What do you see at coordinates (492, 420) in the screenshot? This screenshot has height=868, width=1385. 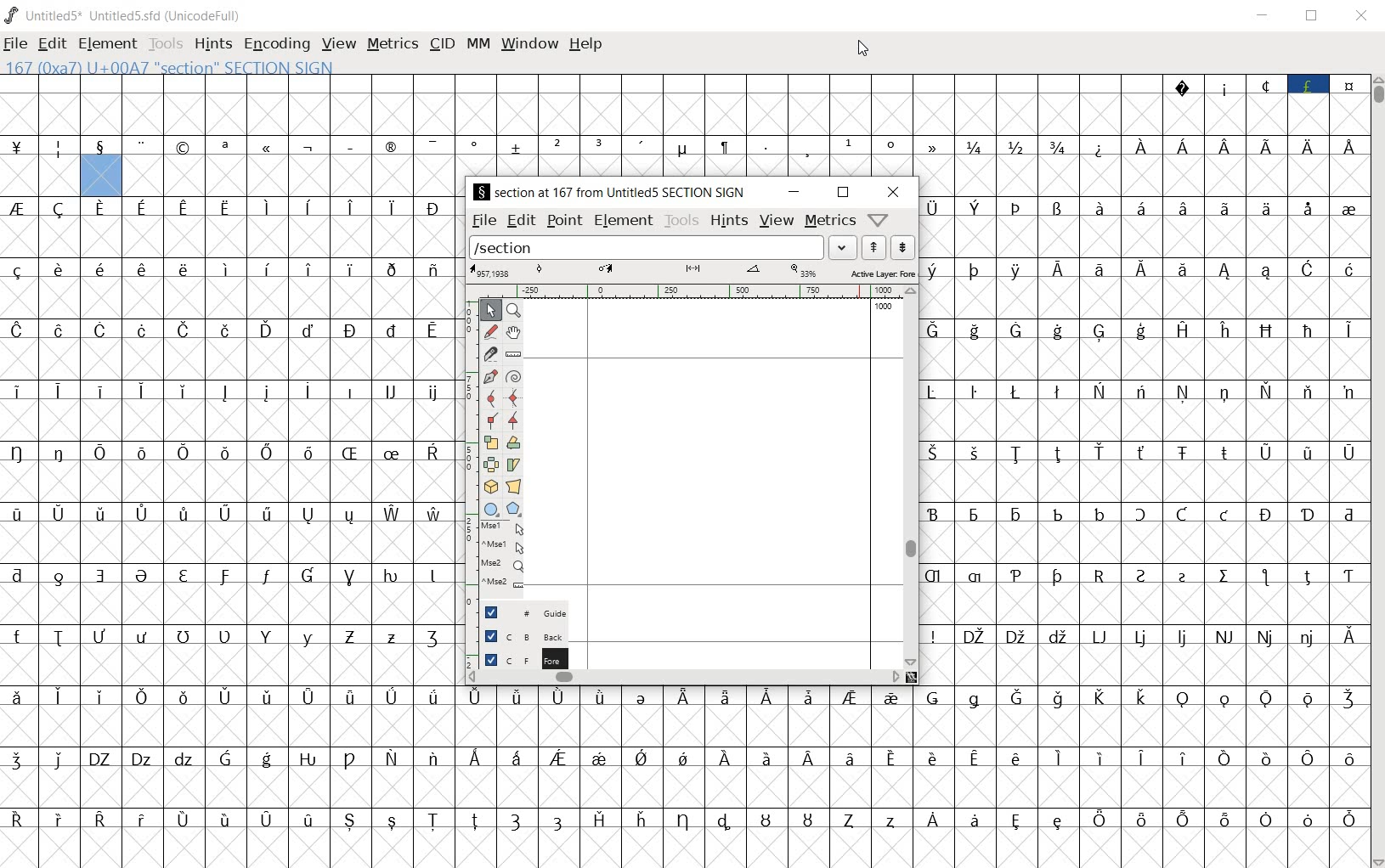 I see `Add a corner point` at bounding box center [492, 420].